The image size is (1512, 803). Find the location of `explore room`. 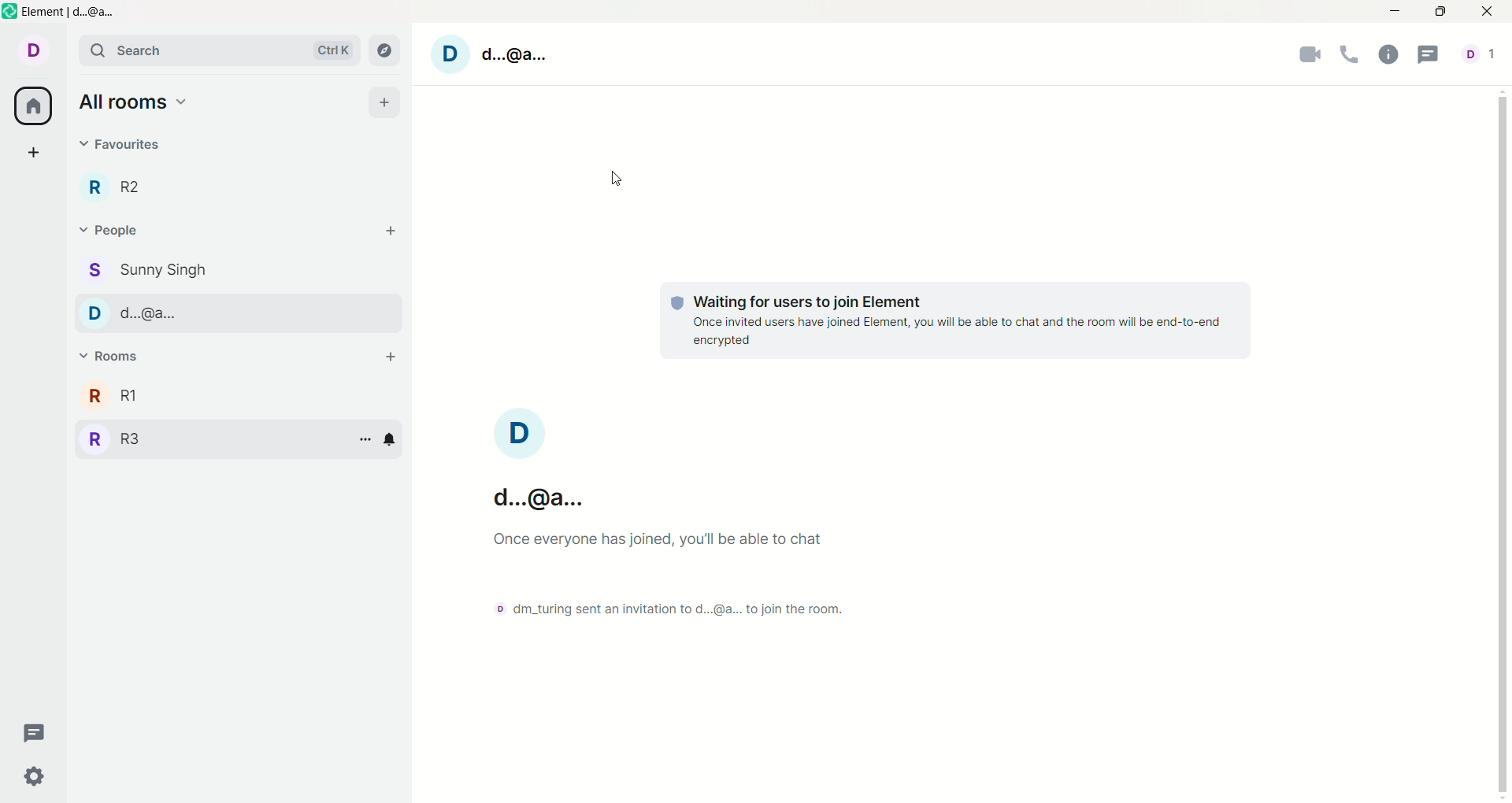

explore room is located at coordinates (384, 49).